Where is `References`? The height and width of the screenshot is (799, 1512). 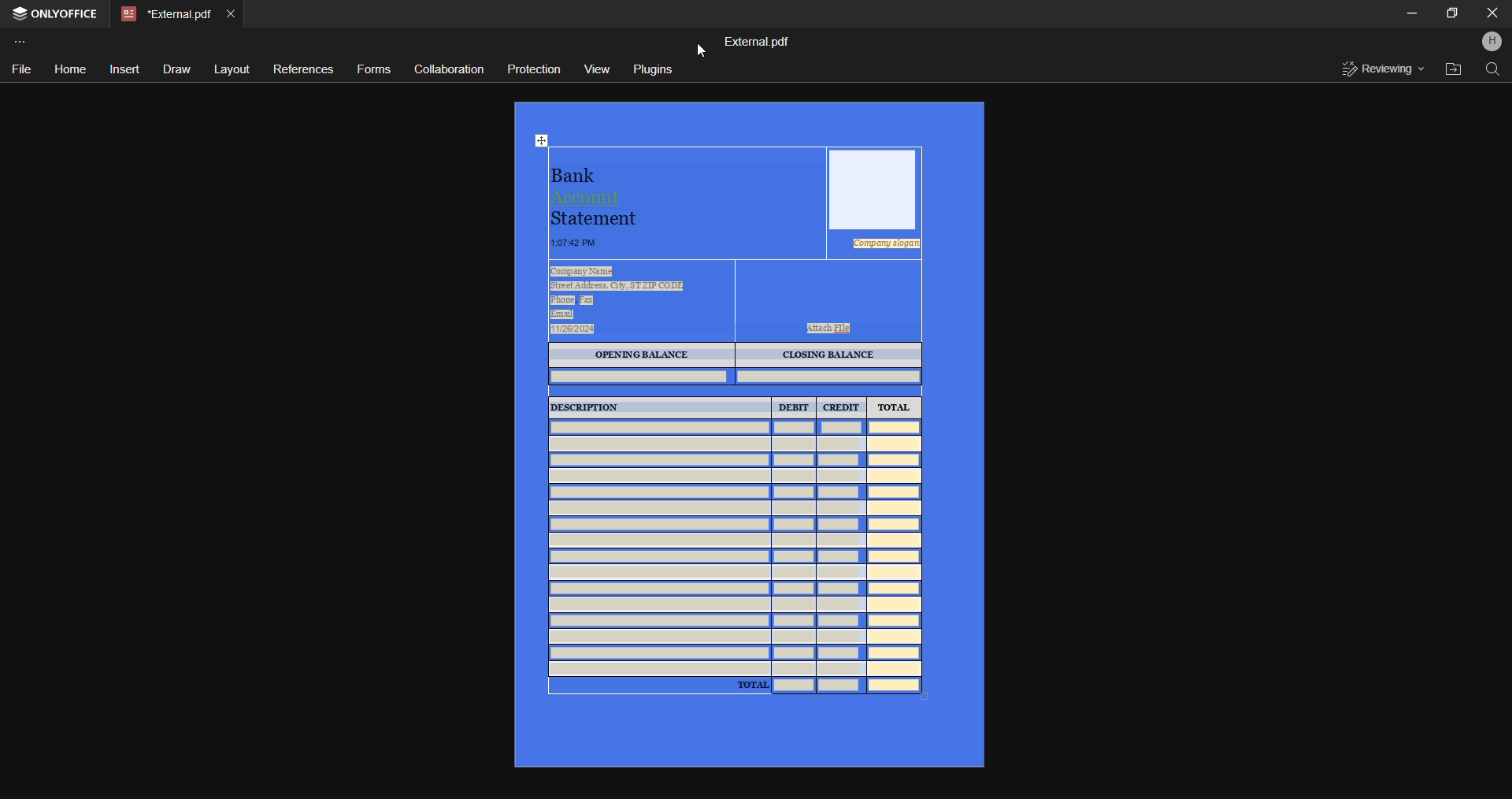 References is located at coordinates (299, 71).